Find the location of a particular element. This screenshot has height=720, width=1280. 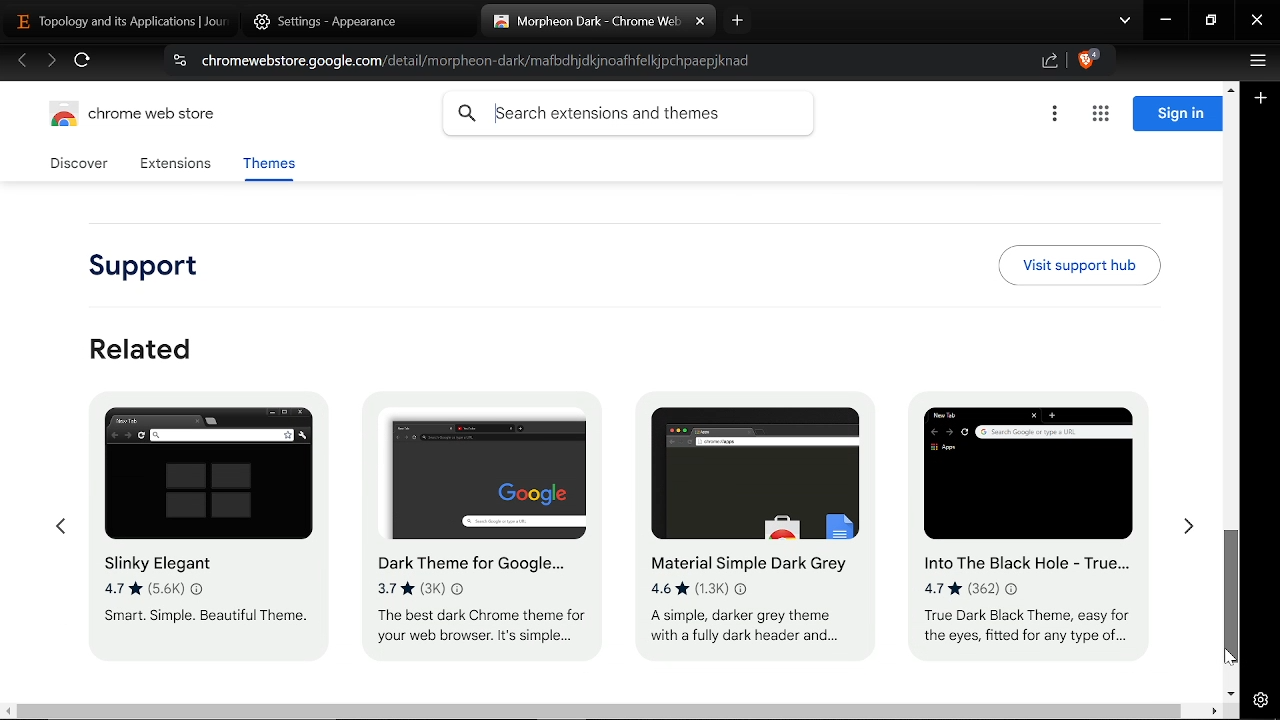

Visit support hub is located at coordinates (1079, 265).